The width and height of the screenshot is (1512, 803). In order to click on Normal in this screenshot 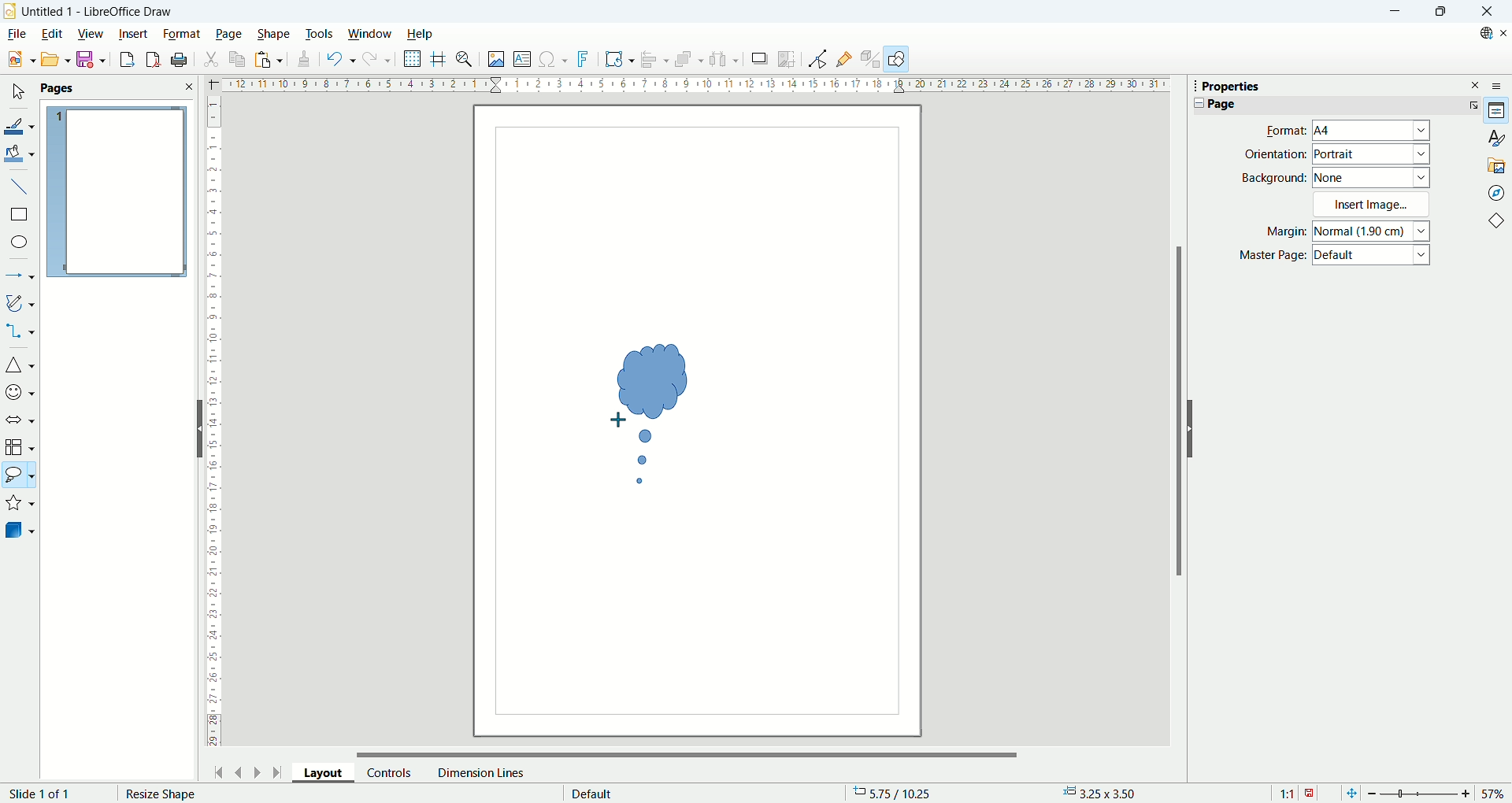, I will do `click(1373, 231)`.